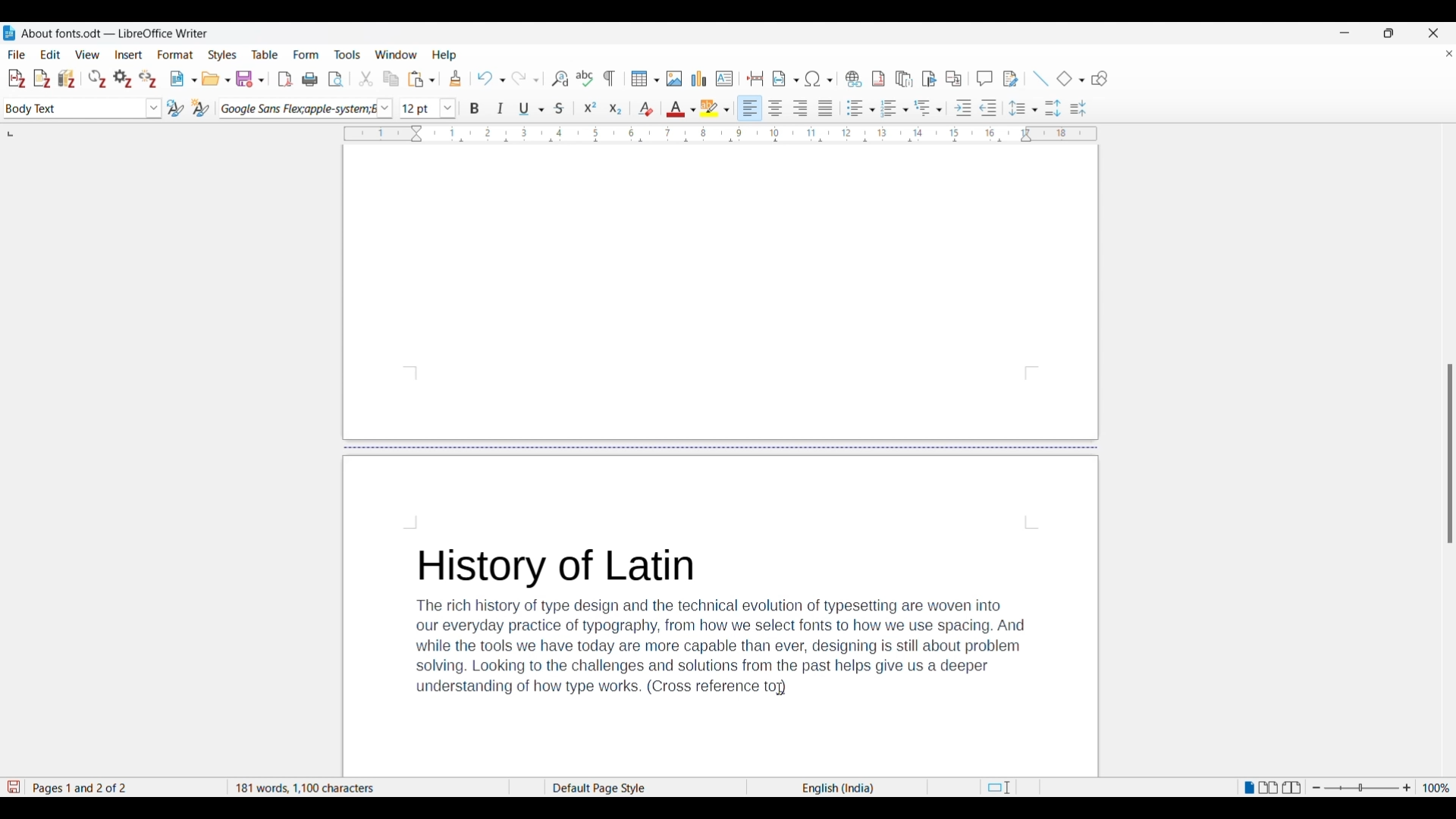 This screenshot has width=1456, height=819. What do you see at coordinates (50, 54) in the screenshot?
I see `Edit menu` at bounding box center [50, 54].